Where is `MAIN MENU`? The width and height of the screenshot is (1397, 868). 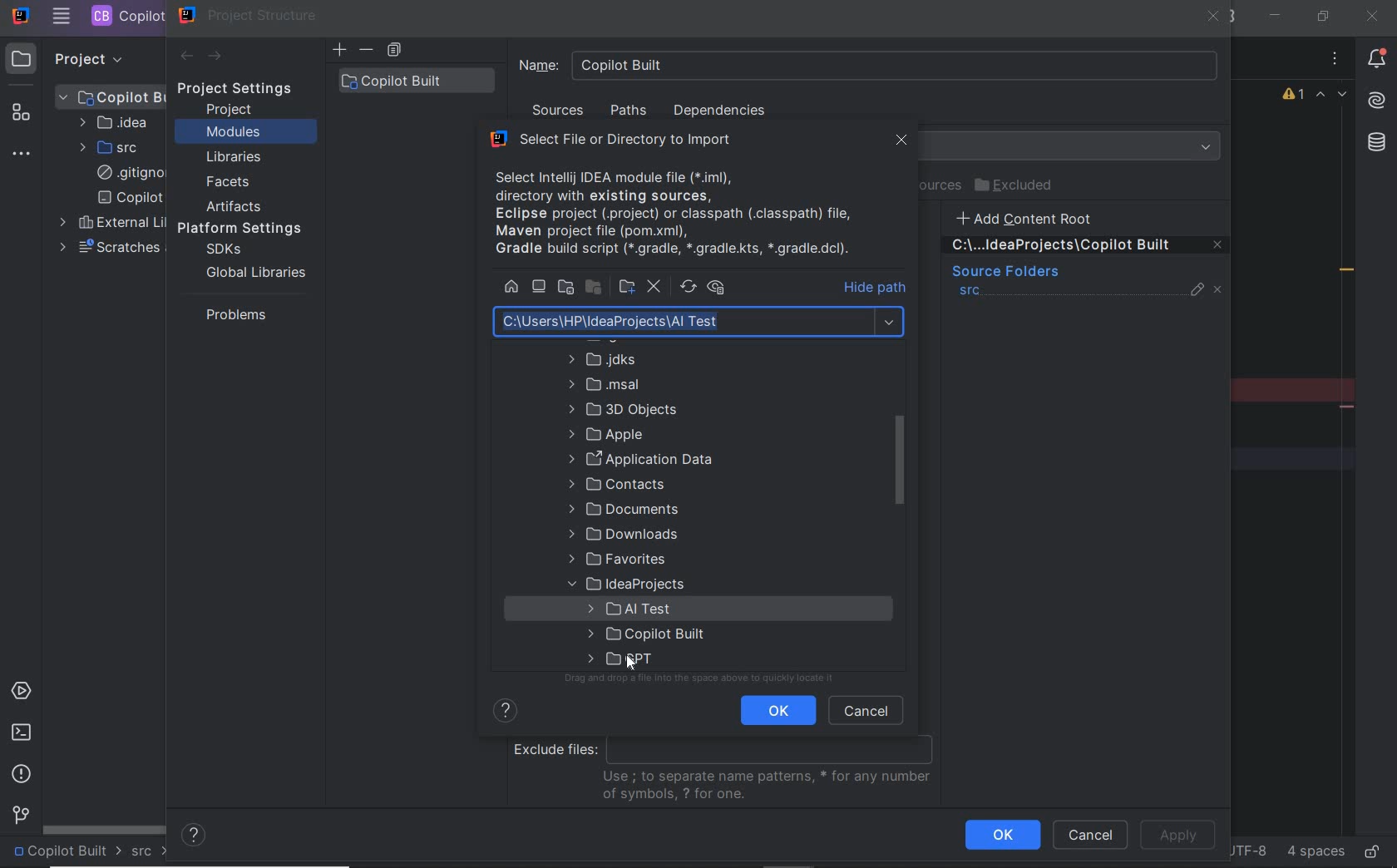
MAIN MENU is located at coordinates (61, 17).